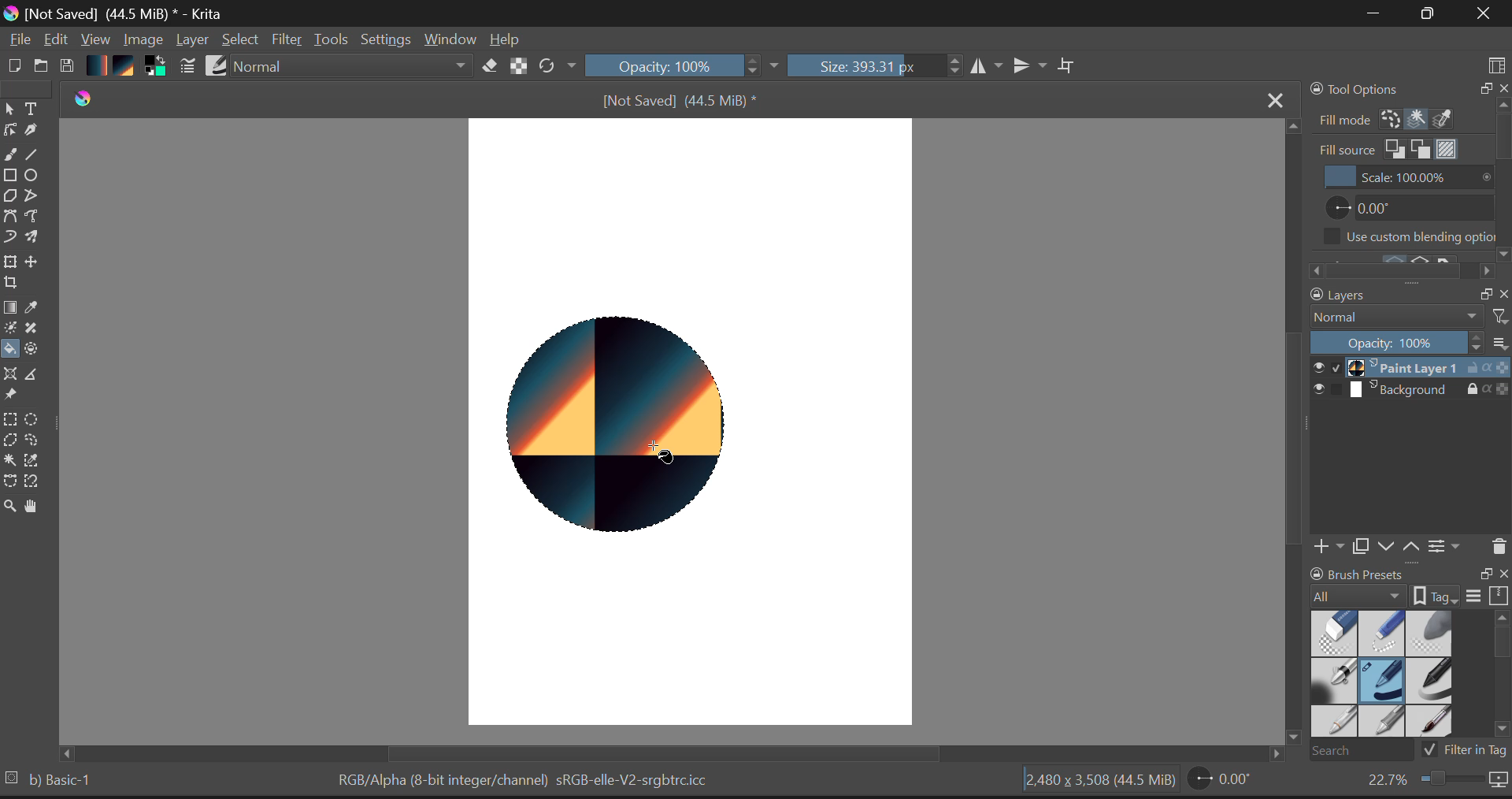  Describe the element at coordinates (37, 349) in the screenshot. I see `Enclose and Fill` at that location.